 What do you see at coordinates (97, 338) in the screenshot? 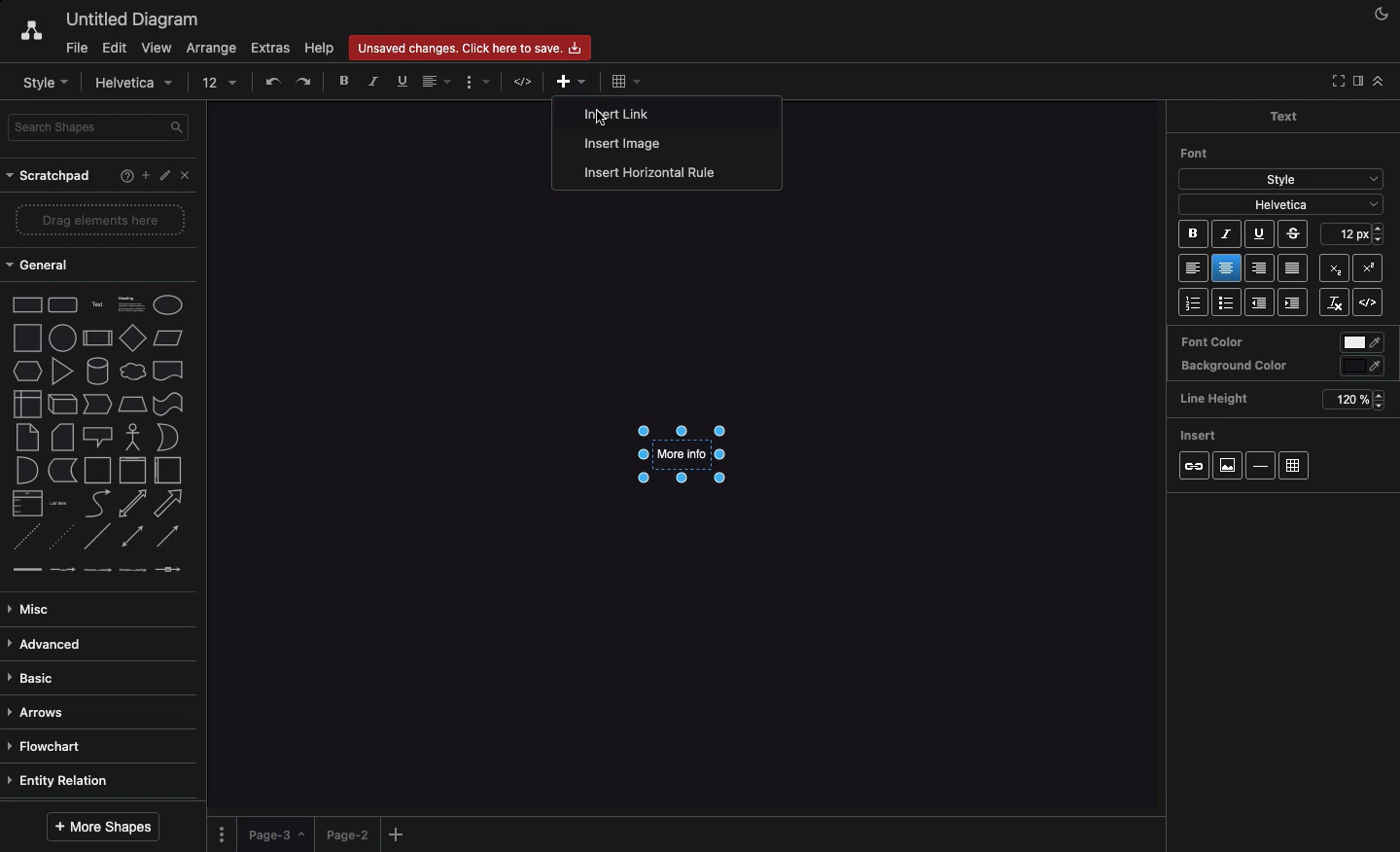
I see `process` at bounding box center [97, 338].